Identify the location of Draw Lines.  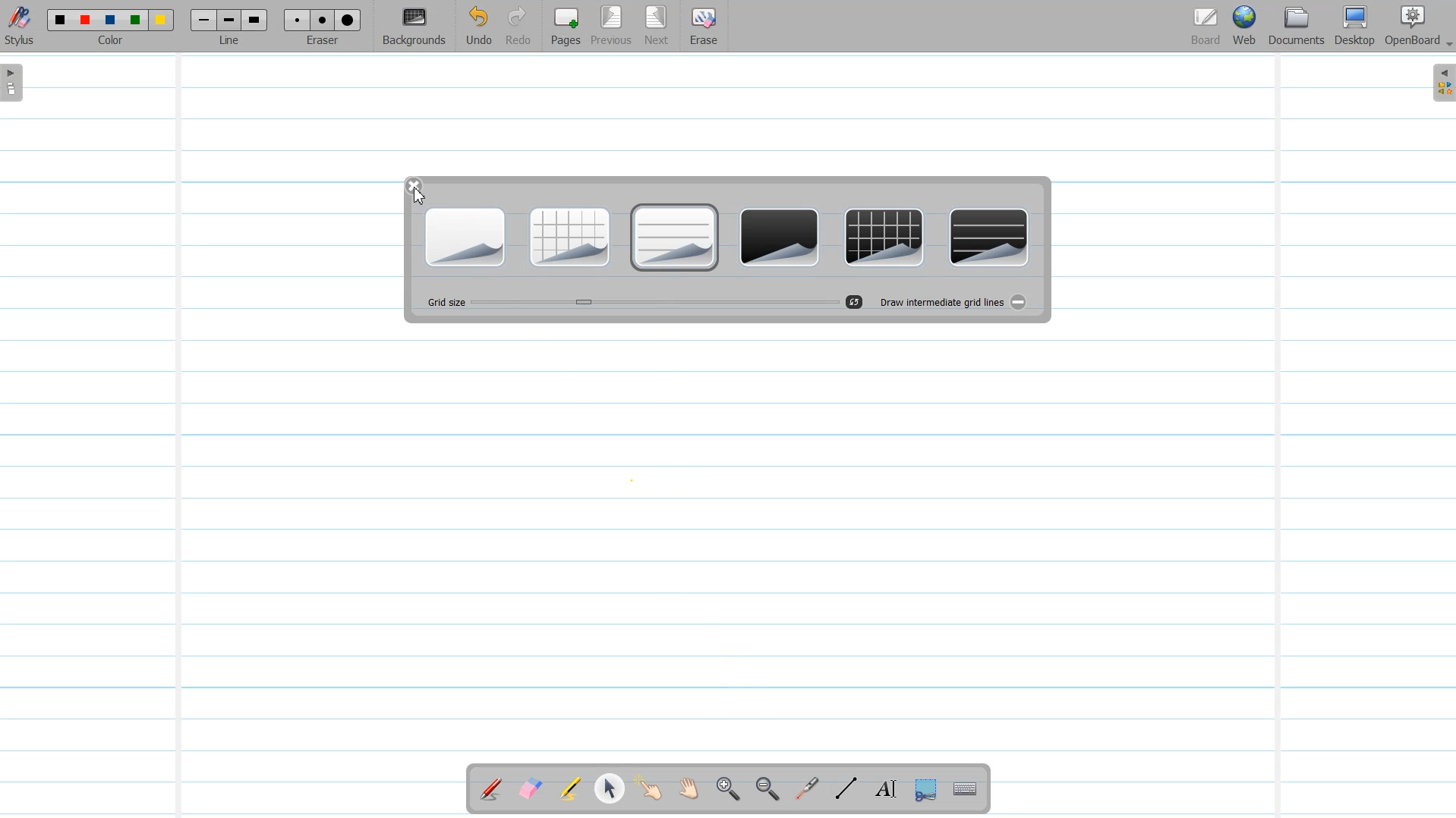
(846, 789).